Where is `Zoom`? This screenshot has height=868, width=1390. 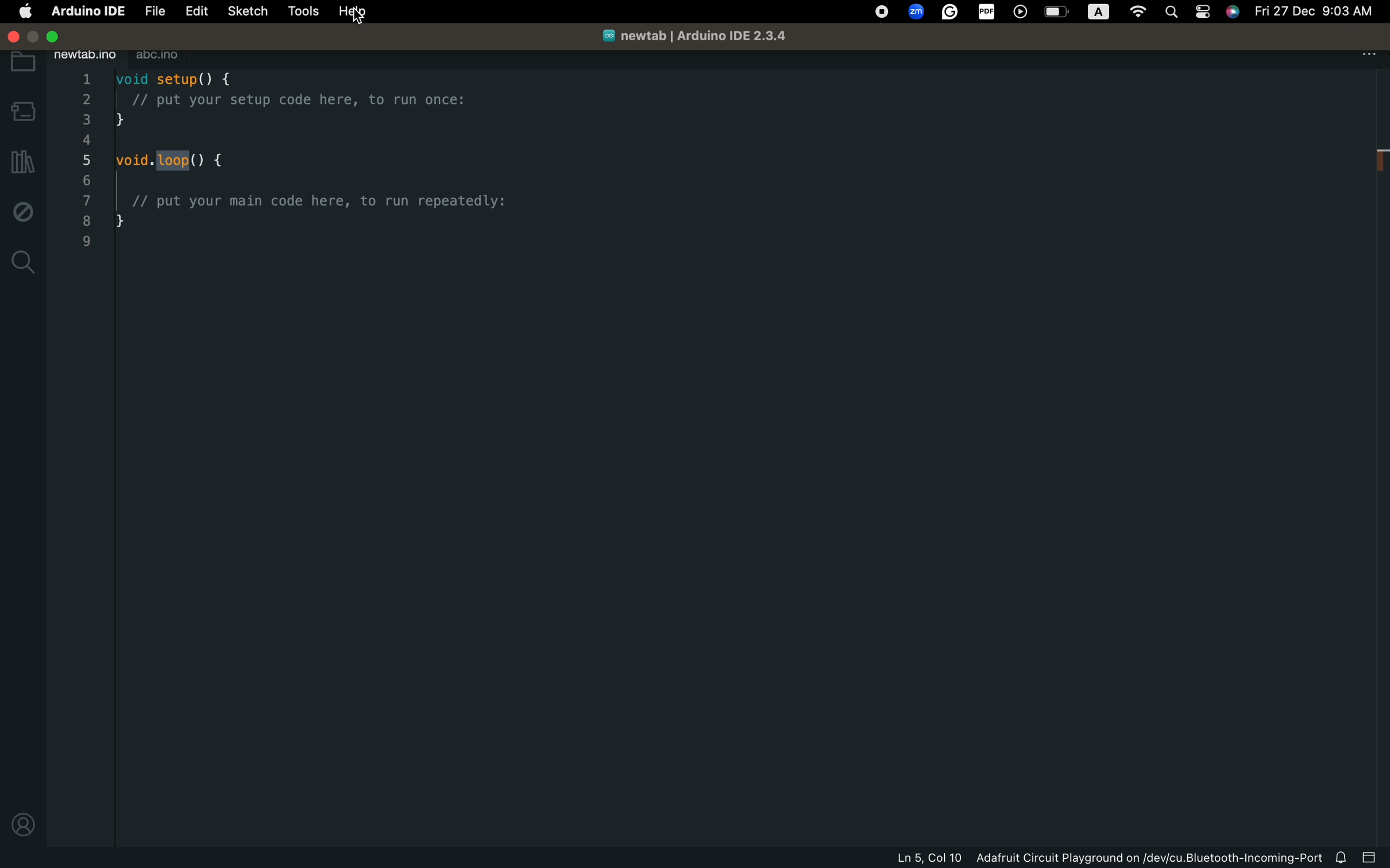
Zoom is located at coordinates (914, 10).